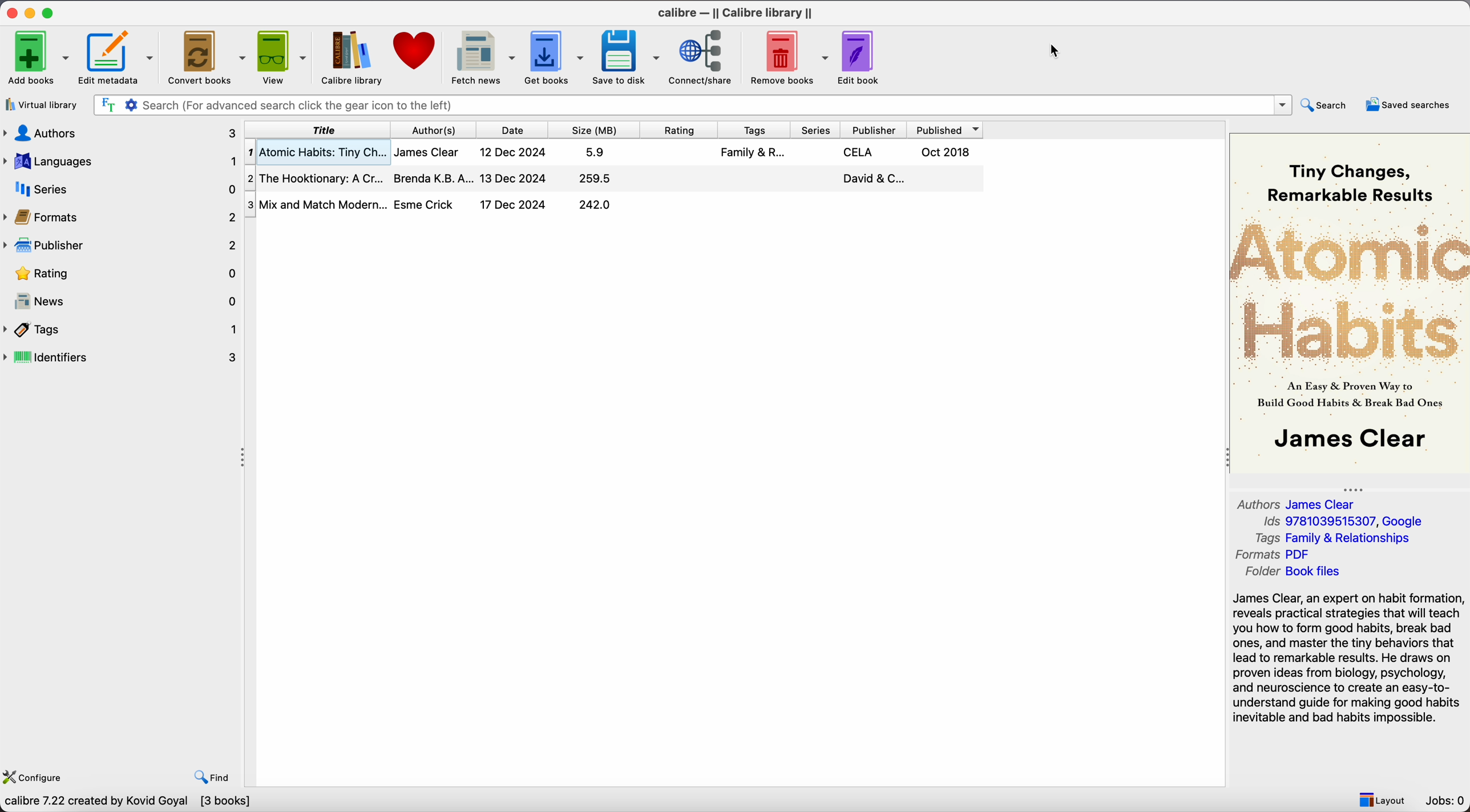 This screenshot has height=812, width=1470. What do you see at coordinates (1059, 51) in the screenshot?
I see `cursor` at bounding box center [1059, 51].